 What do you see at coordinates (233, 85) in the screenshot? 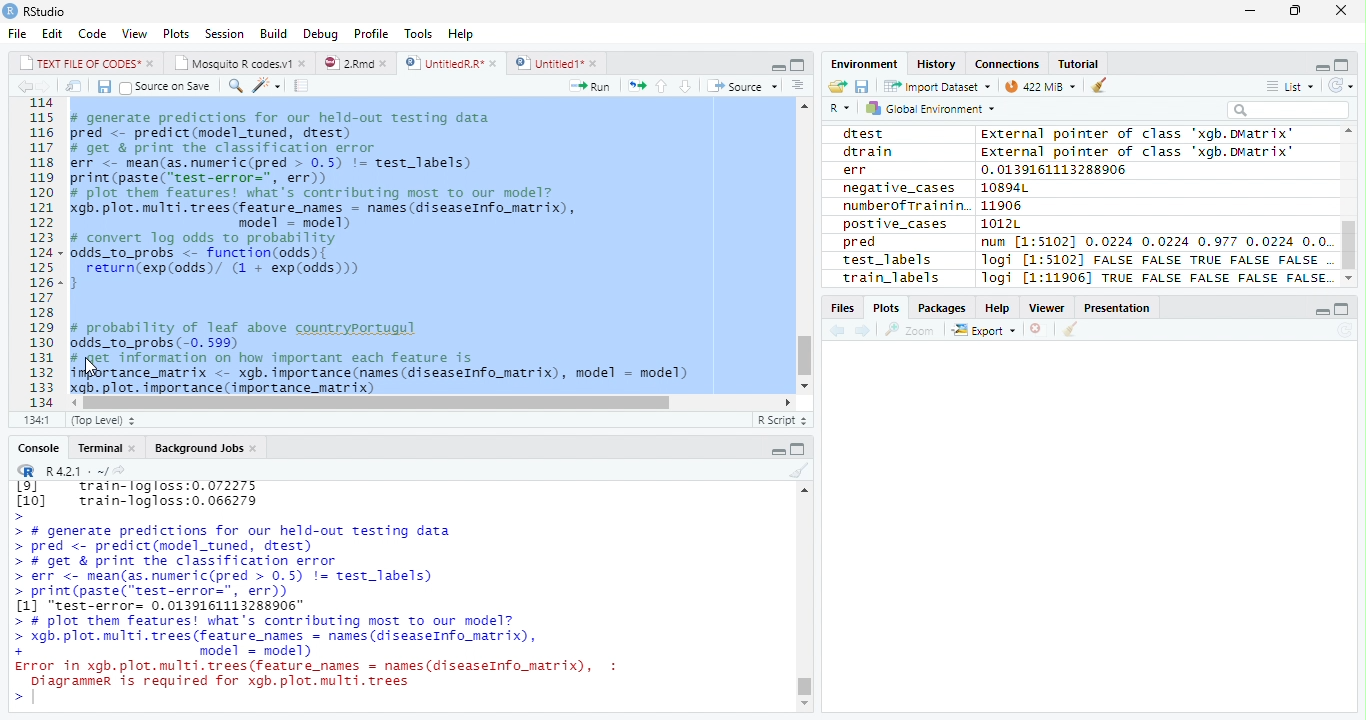
I see `Find/Replace` at bounding box center [233, 85].